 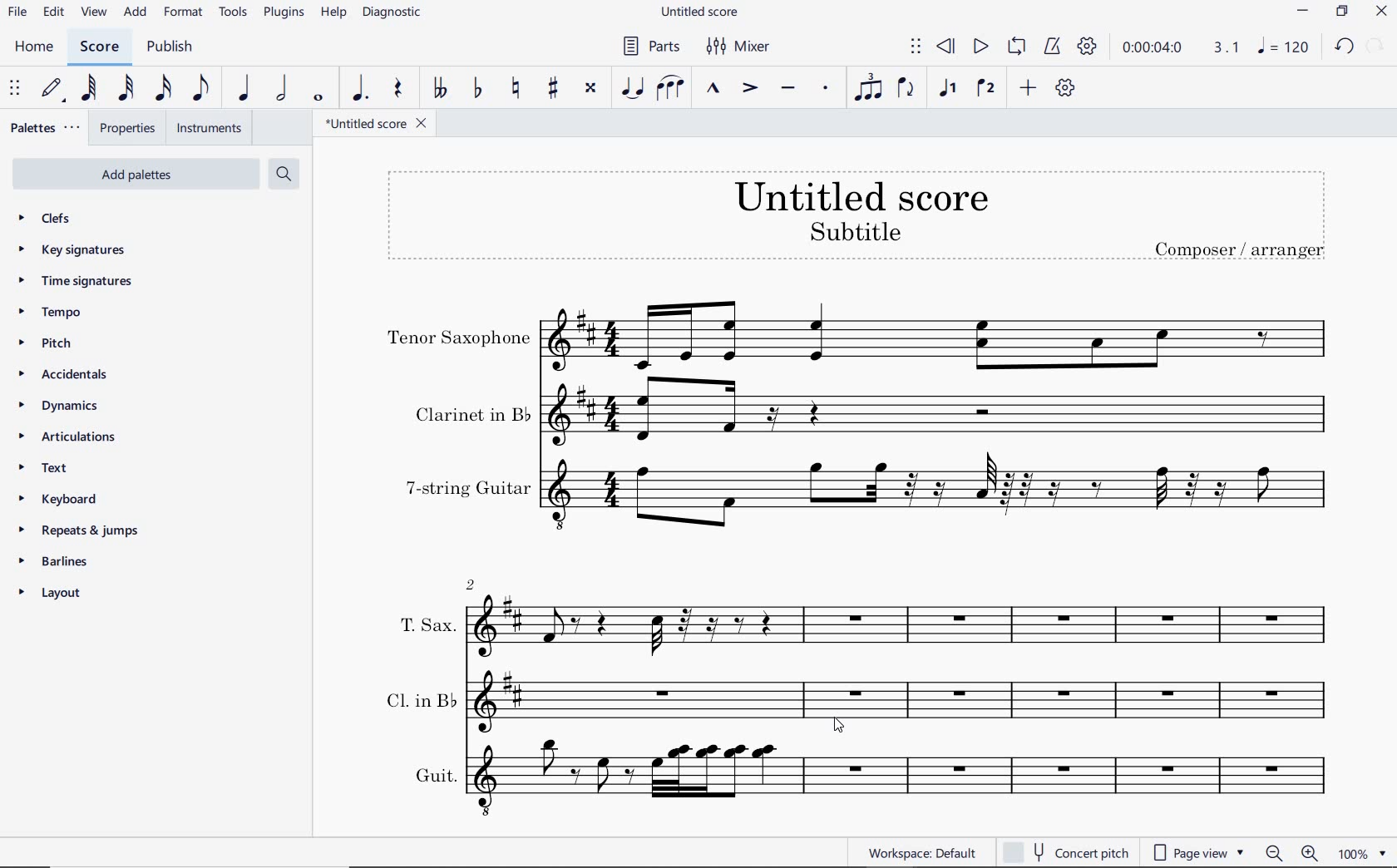 What do you see at coordinates (629, 87) in the screenshot?
I see `TIE` at bounding box center [629, 87].